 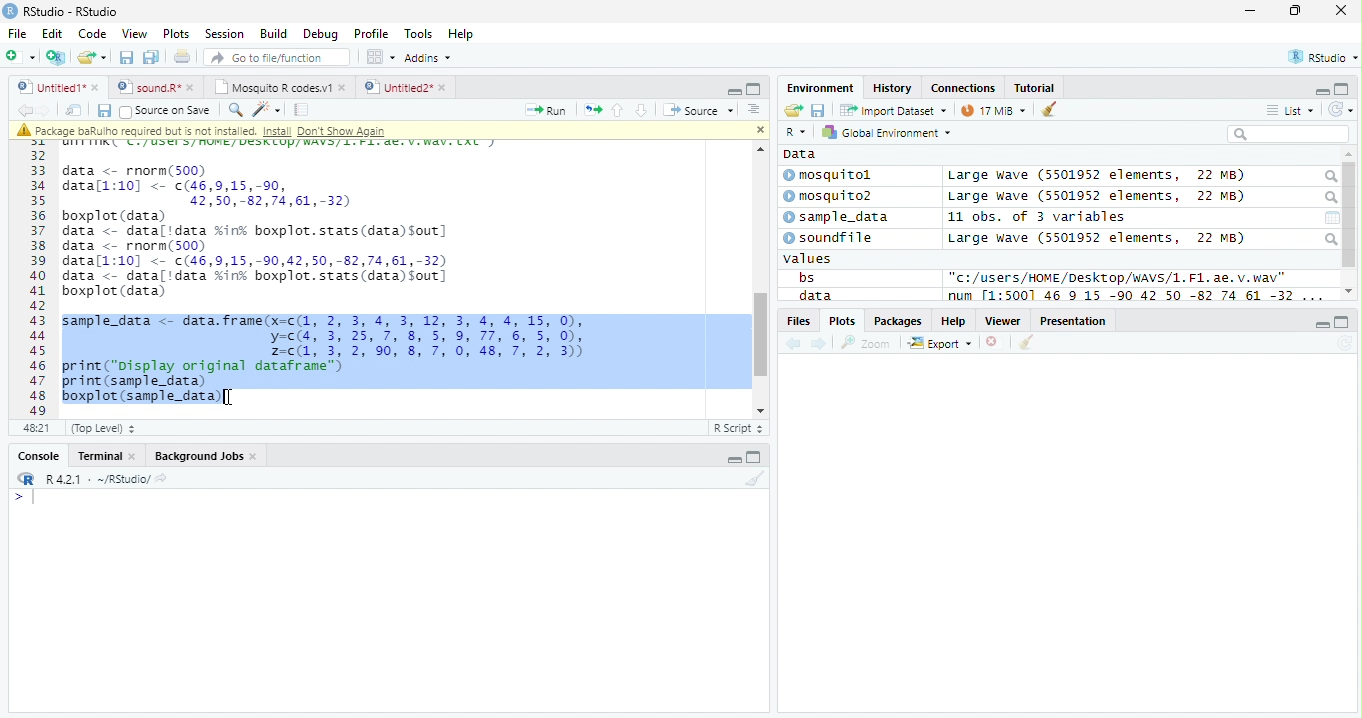 I want to click on Save all the open documents, so click(x=151, y=58).